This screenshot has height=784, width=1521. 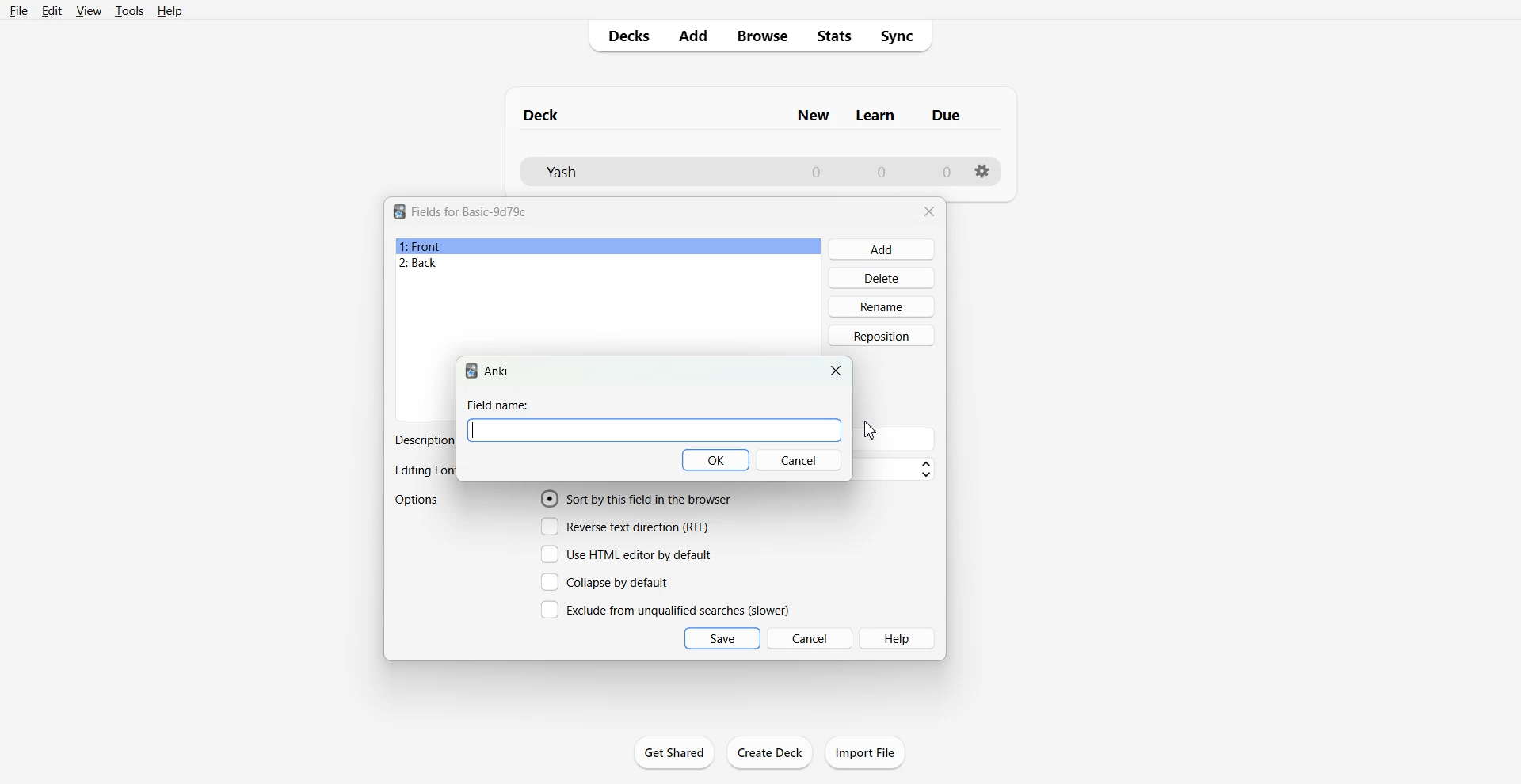 I want to click on Input box for field Name, so click(x=654, y=431).